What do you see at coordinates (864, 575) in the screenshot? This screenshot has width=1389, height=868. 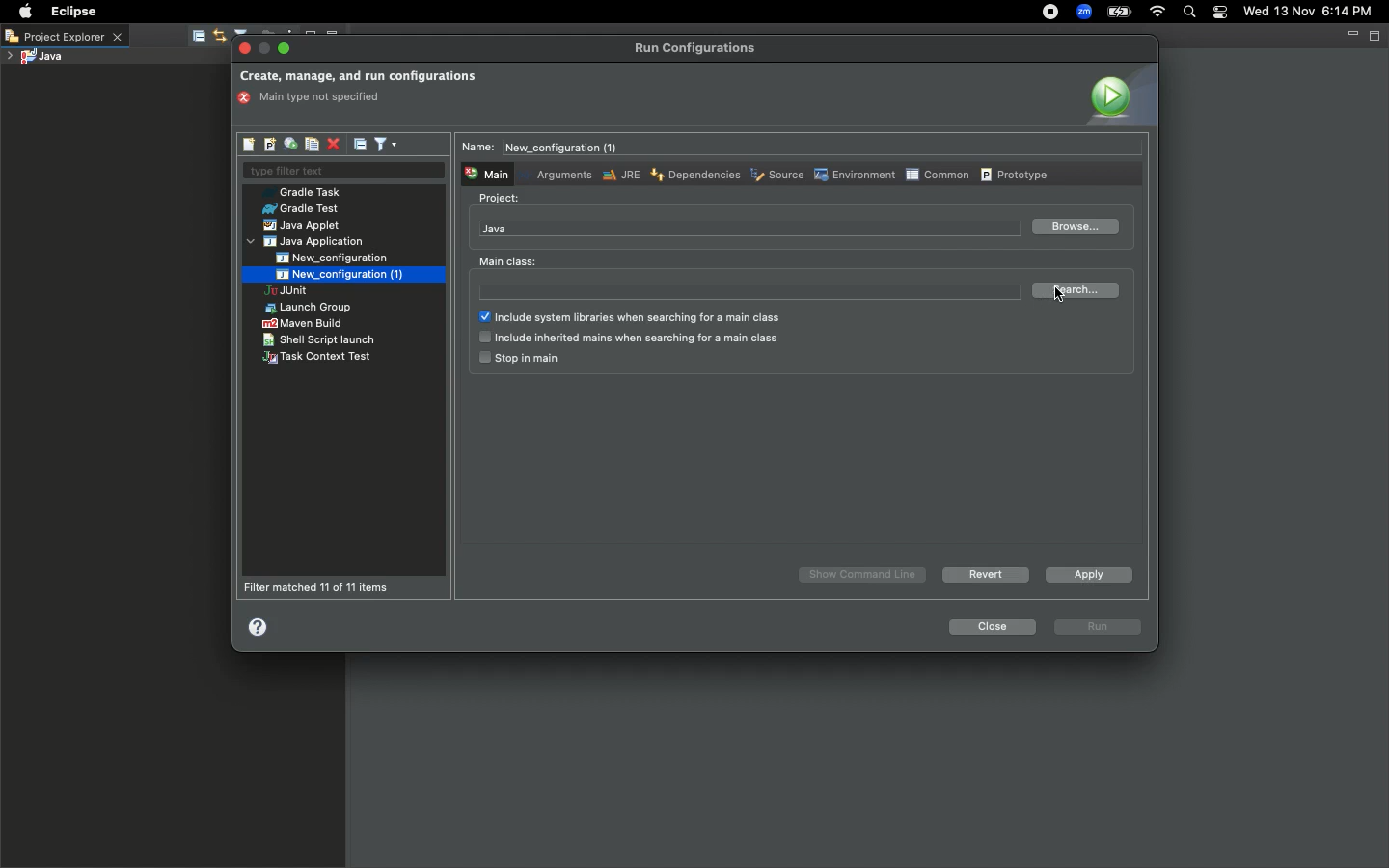 I see `Show Command Line` at bounding box center [864, 575].